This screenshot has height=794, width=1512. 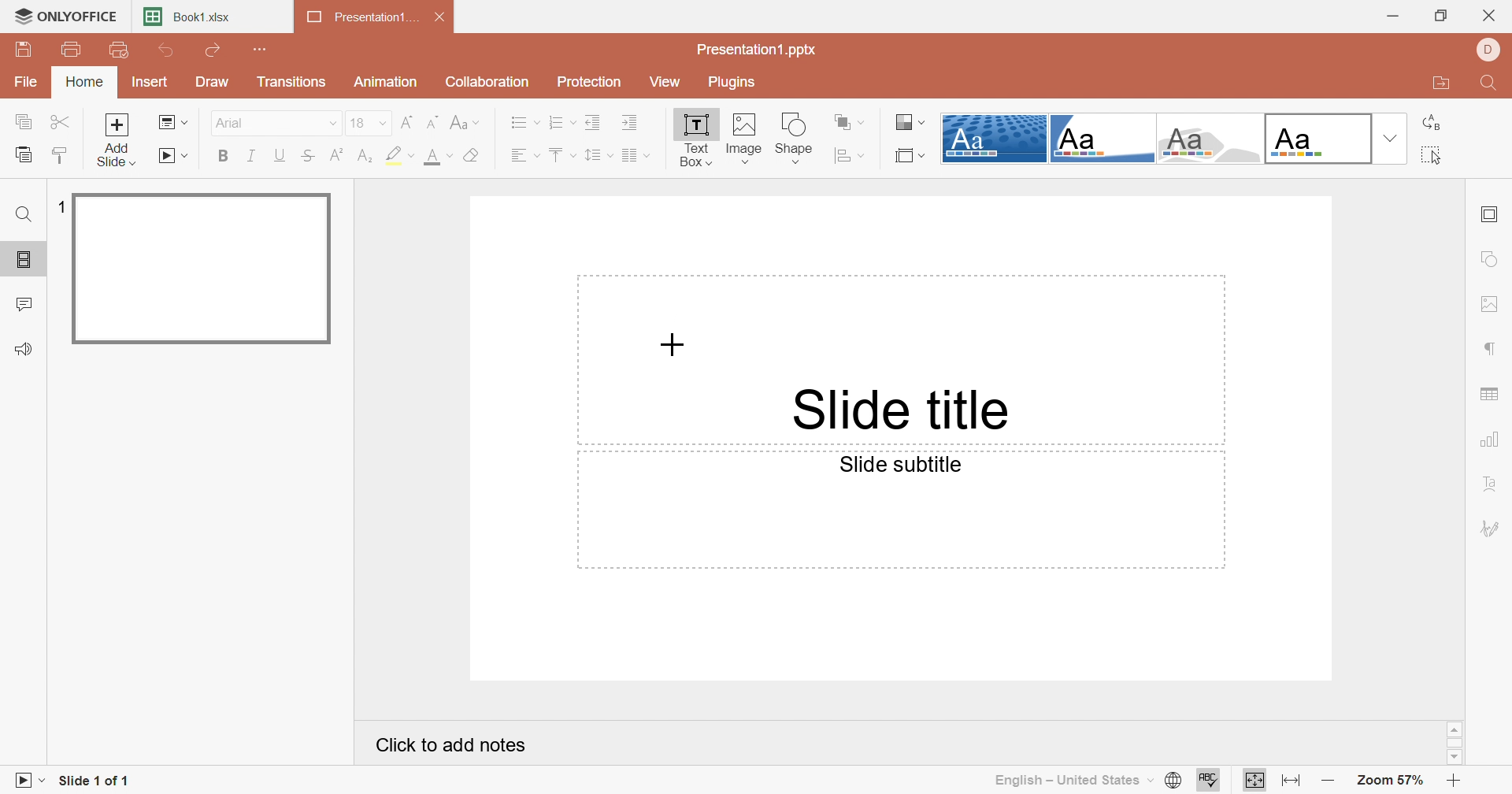 What do you see at coordinates (1455, 780) in the screenshot?
I see `Zoom in` at bounding box center [1455, 780].